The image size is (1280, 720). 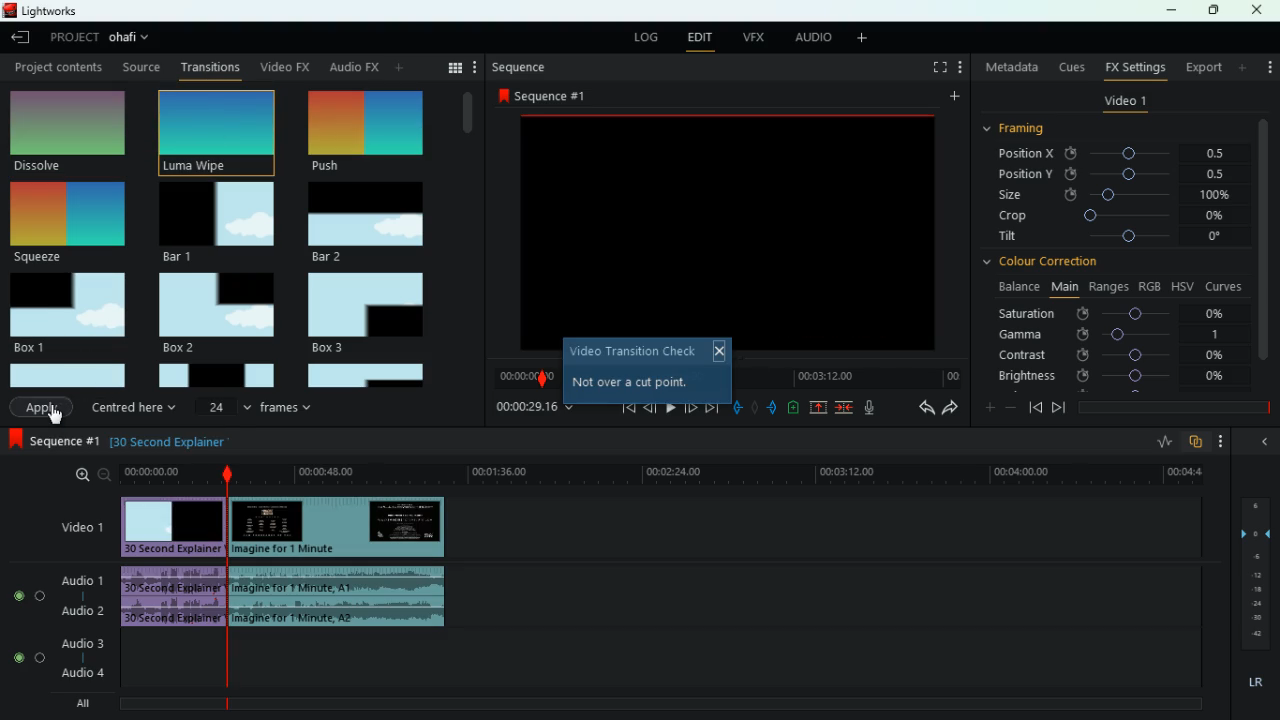 What do you see at coordinates (1262, 441) in the screenshot?
I see `back` at bounding box center [1262, 441].